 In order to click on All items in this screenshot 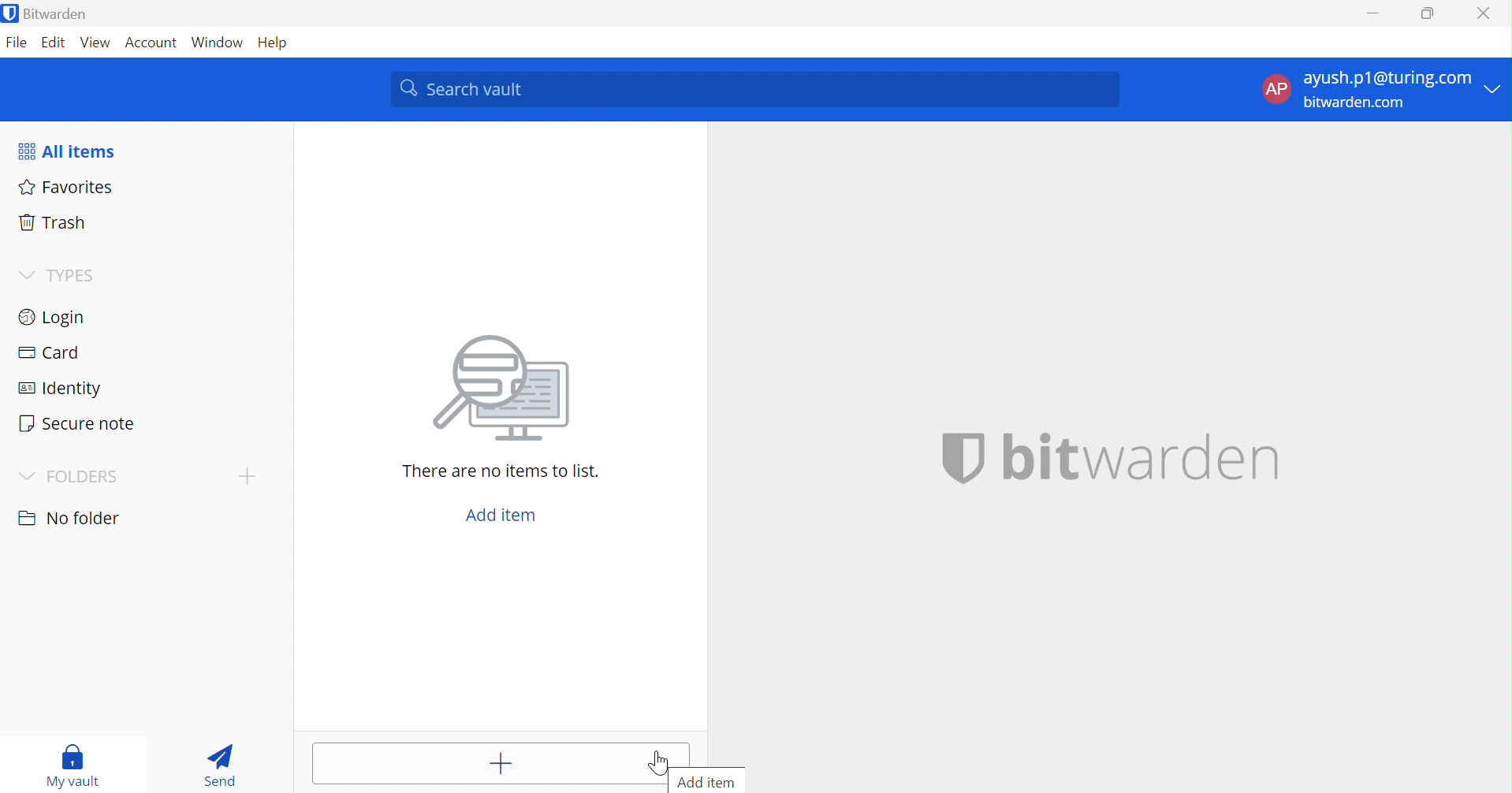, I will do `click(65, 152)`.